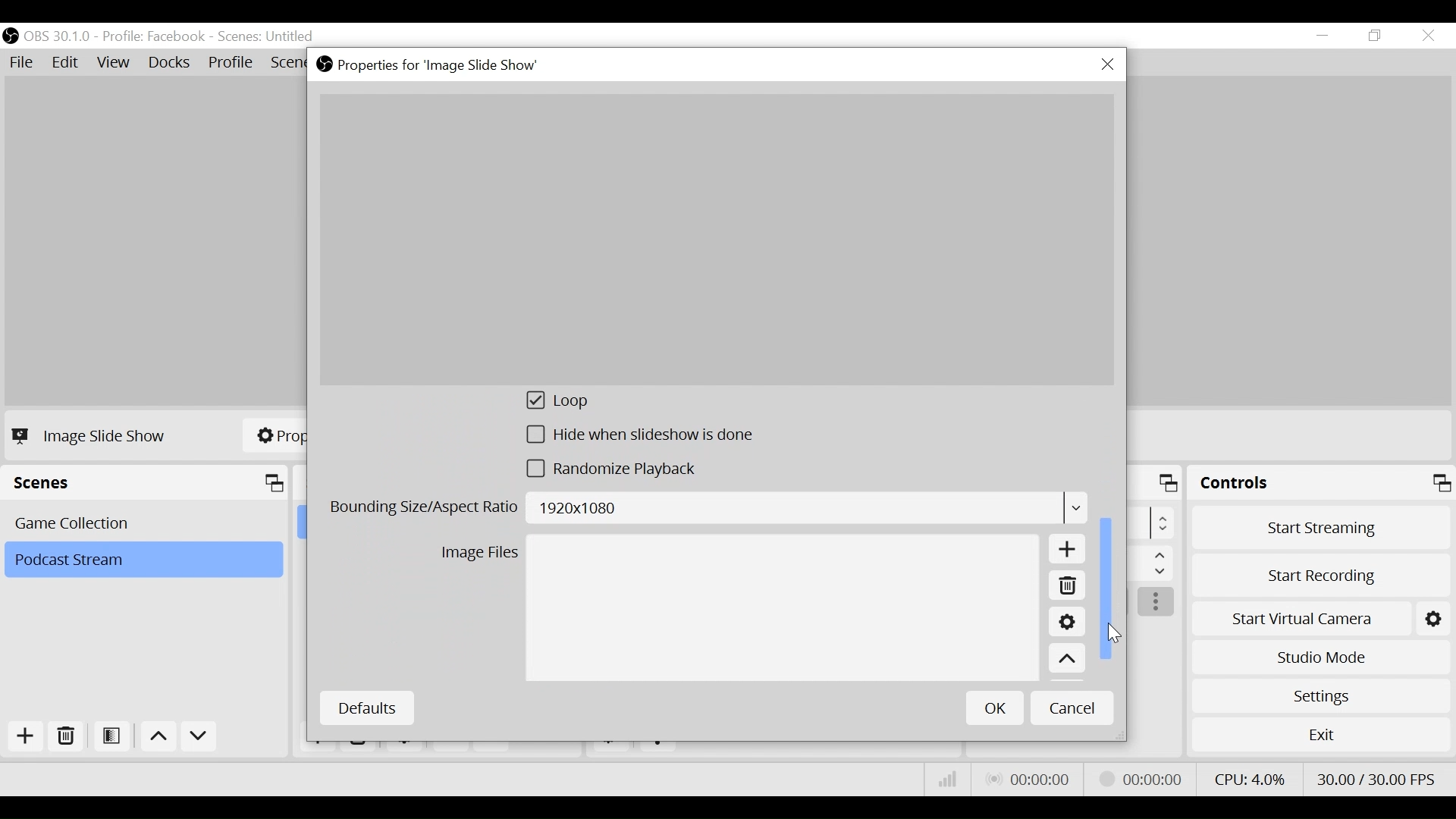  Describe the element at coordinates (716, 240) in the screenshot. I see `Preview Image Slide Show` at that location.